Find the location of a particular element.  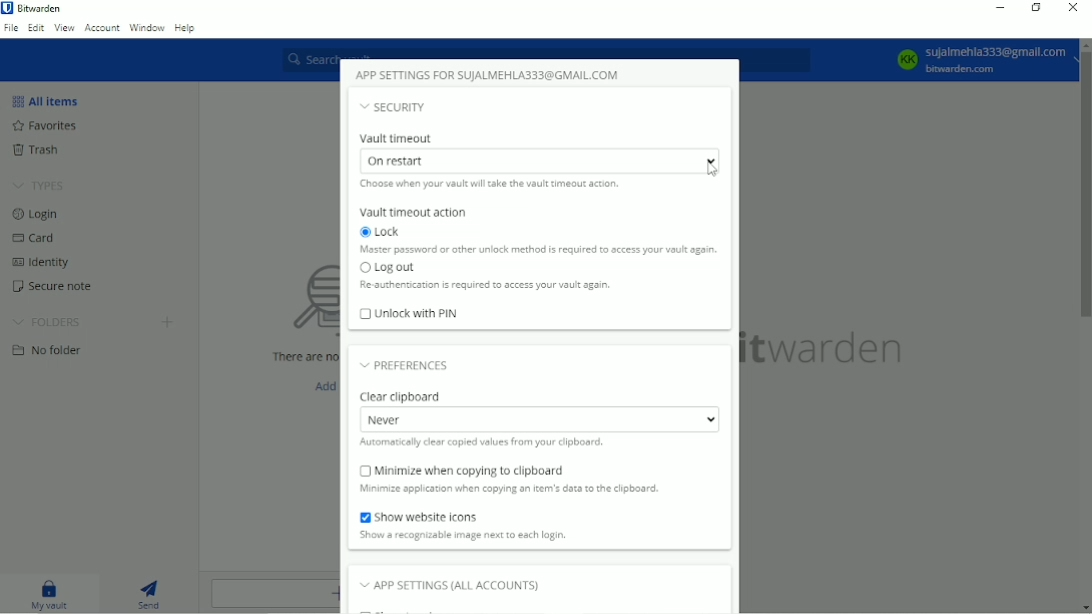

computer icon is located at coordinates (293, 301).